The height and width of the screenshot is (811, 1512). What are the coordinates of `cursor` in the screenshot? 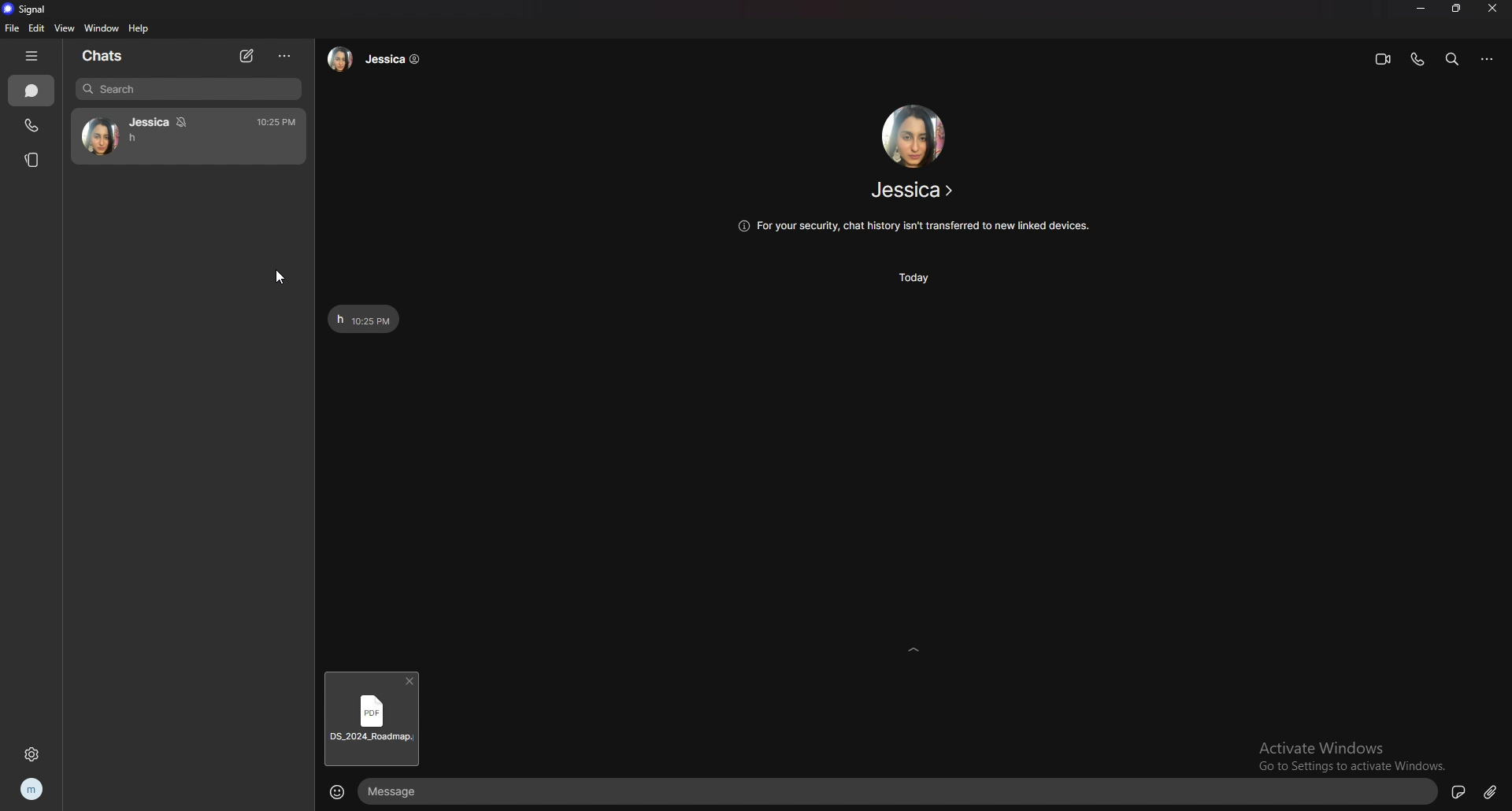 It's located at (279, 278).